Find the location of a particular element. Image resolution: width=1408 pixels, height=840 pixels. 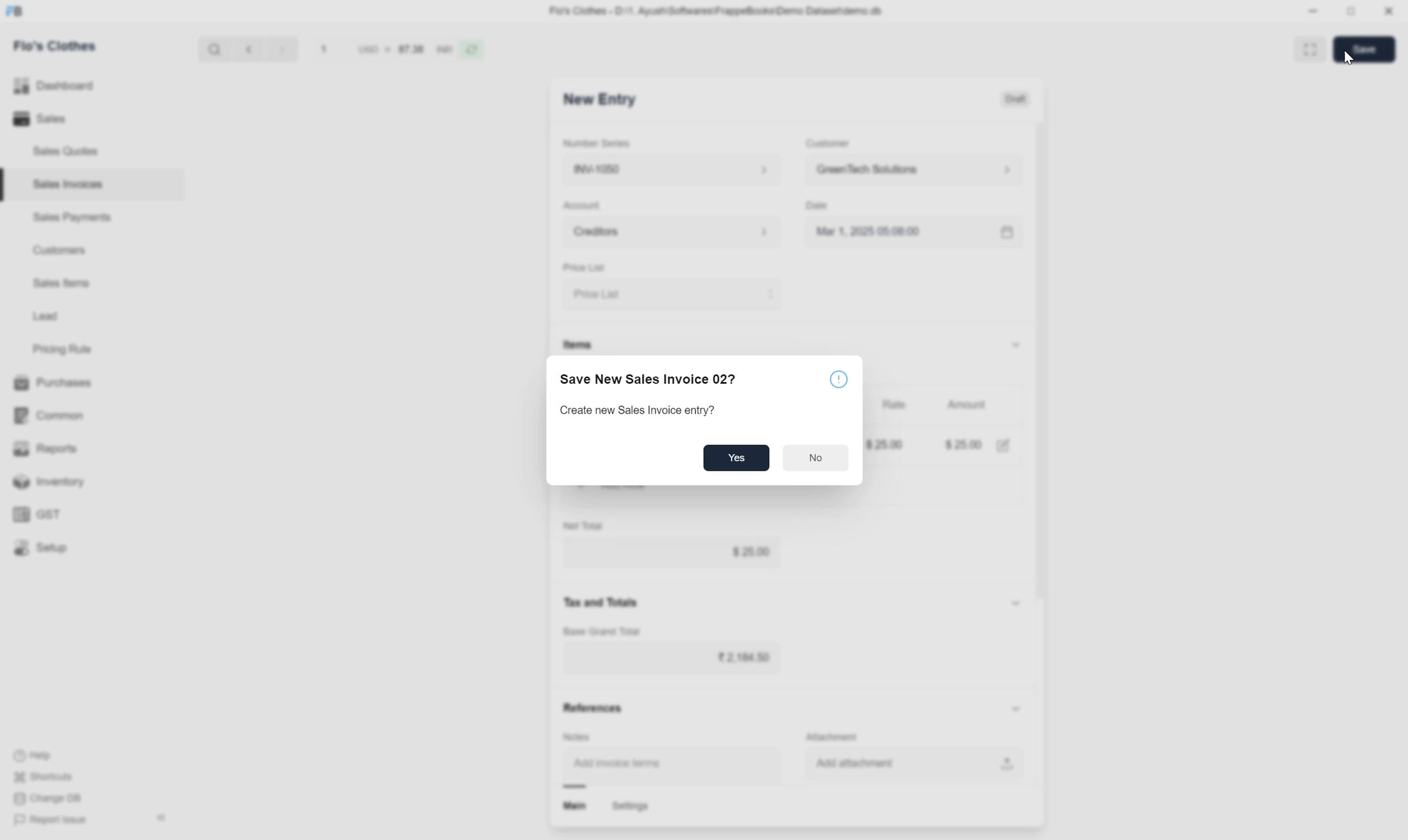

Attachment is located at coordinates (836, 735).